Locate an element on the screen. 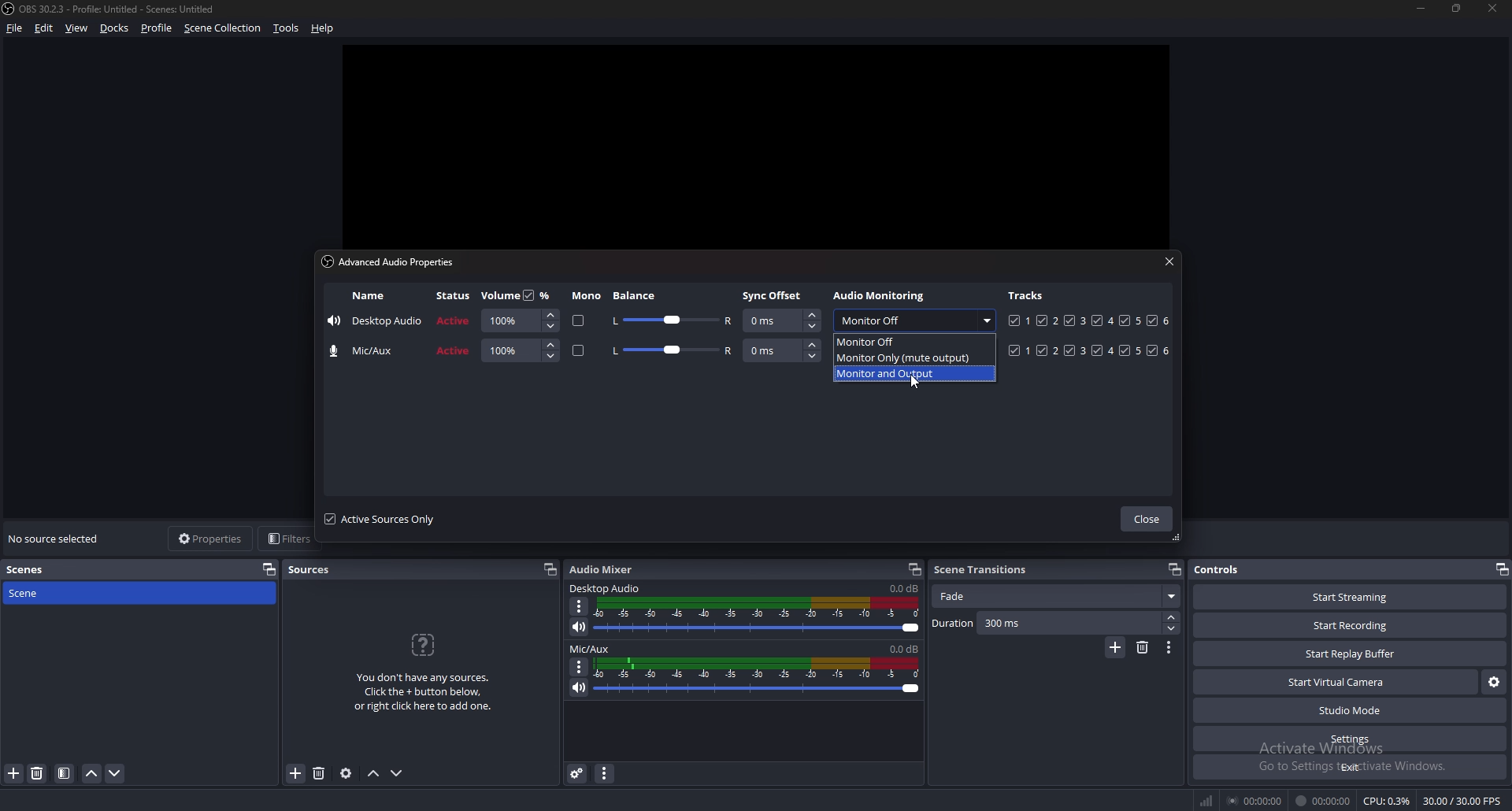 This screenshot has height=811, width=1512. source properties is located at coordinates (347, 772).